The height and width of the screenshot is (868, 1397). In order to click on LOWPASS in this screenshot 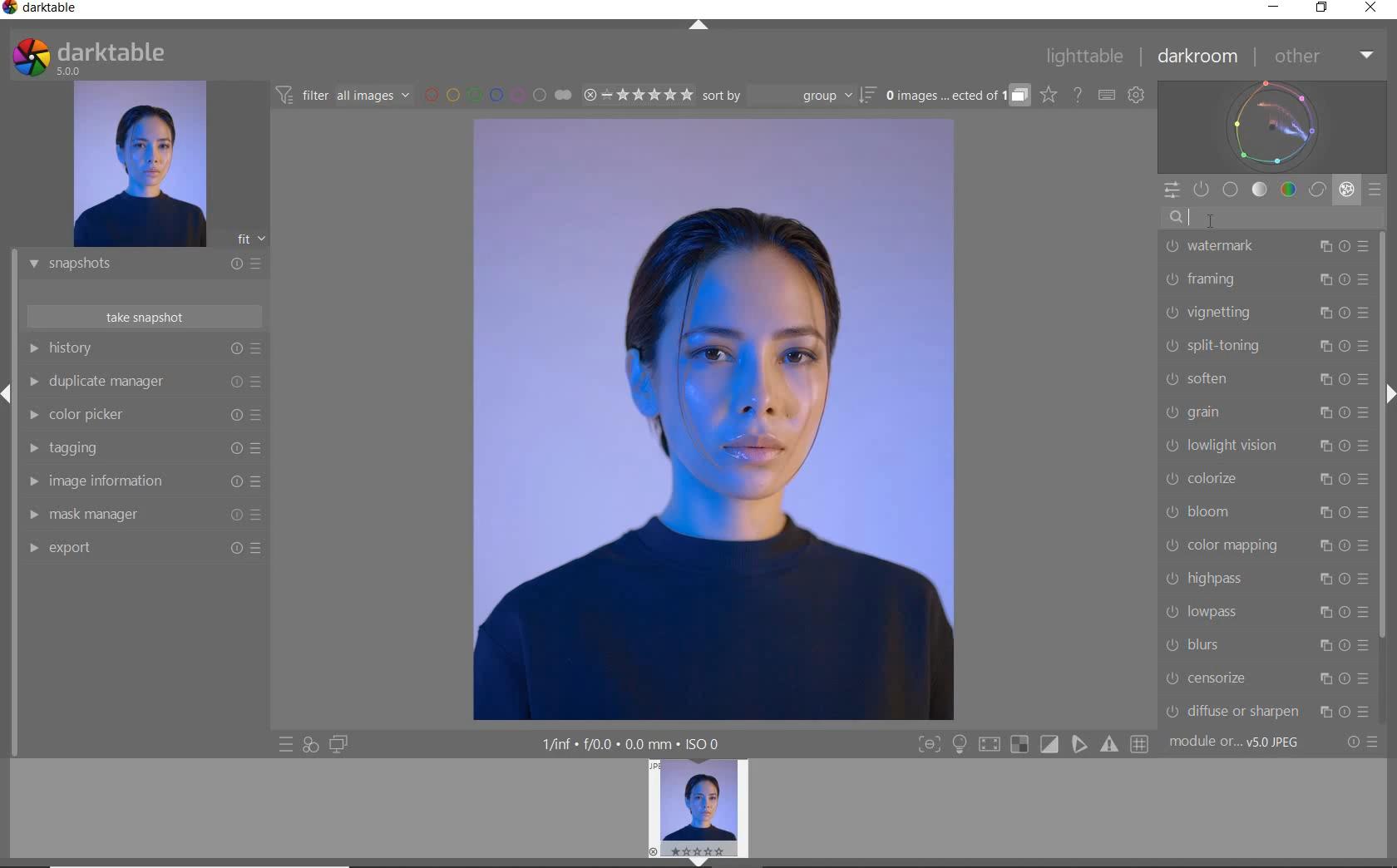, I will do `click(1265, 611)`.